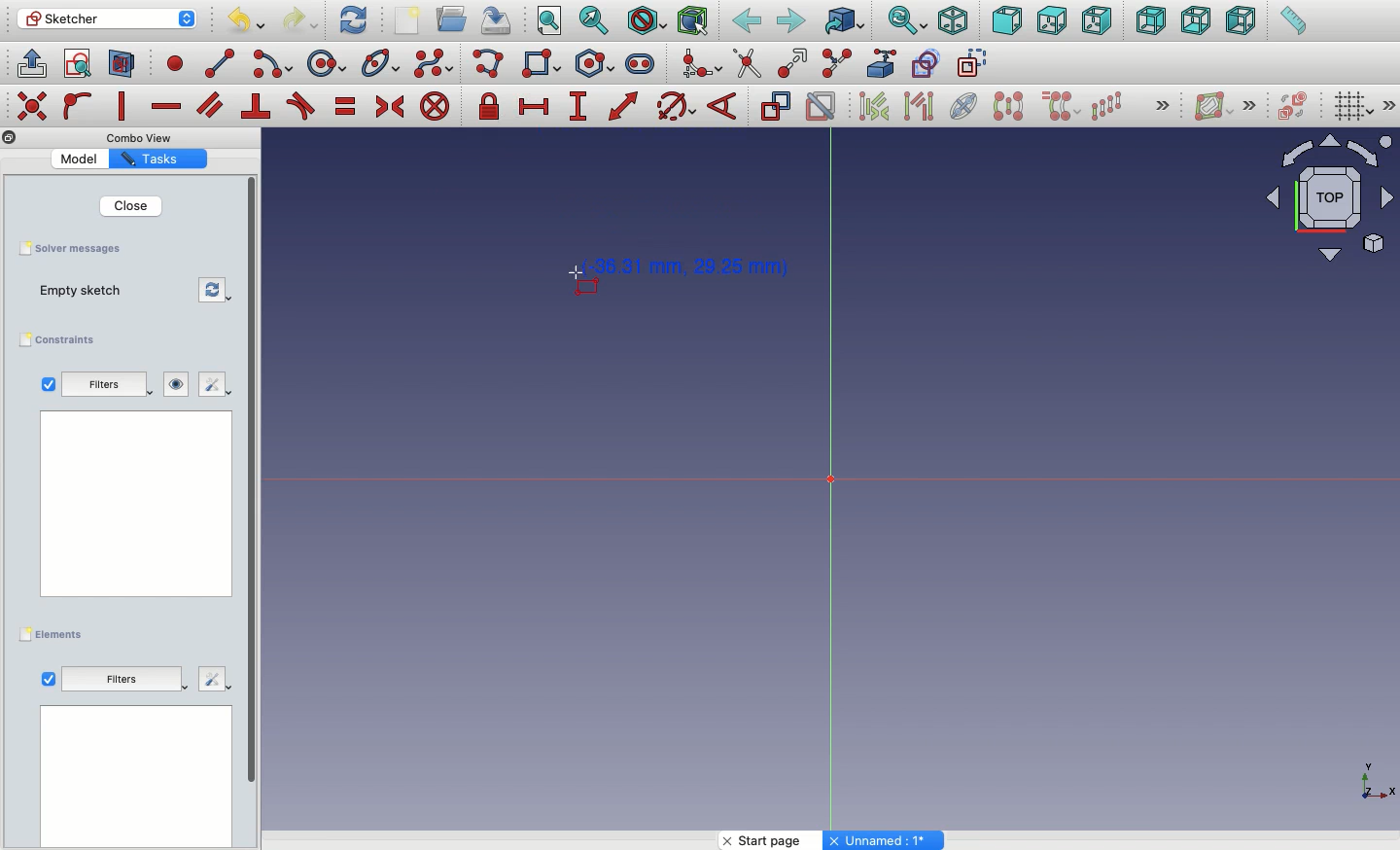 The width and height of the screenshot is (1400, 850). I want to click on Click, so click(570, 286).